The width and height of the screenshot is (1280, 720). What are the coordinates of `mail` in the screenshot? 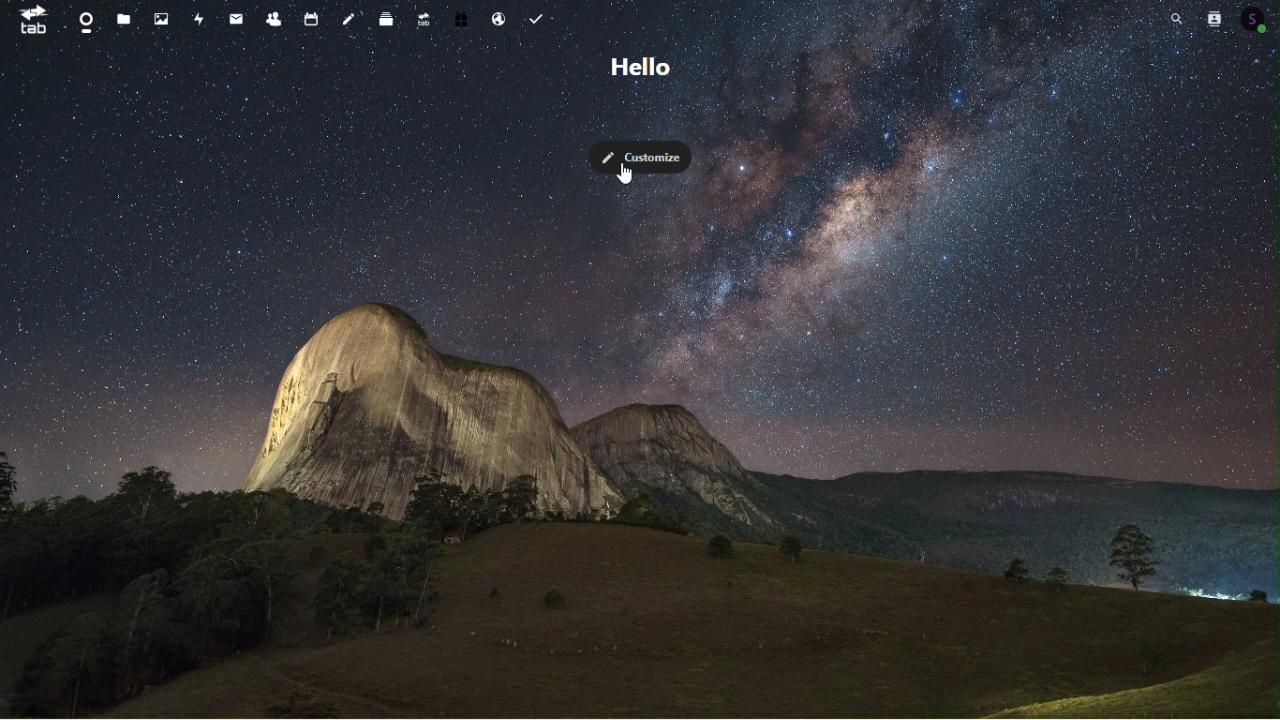 It's located at (235, 18).